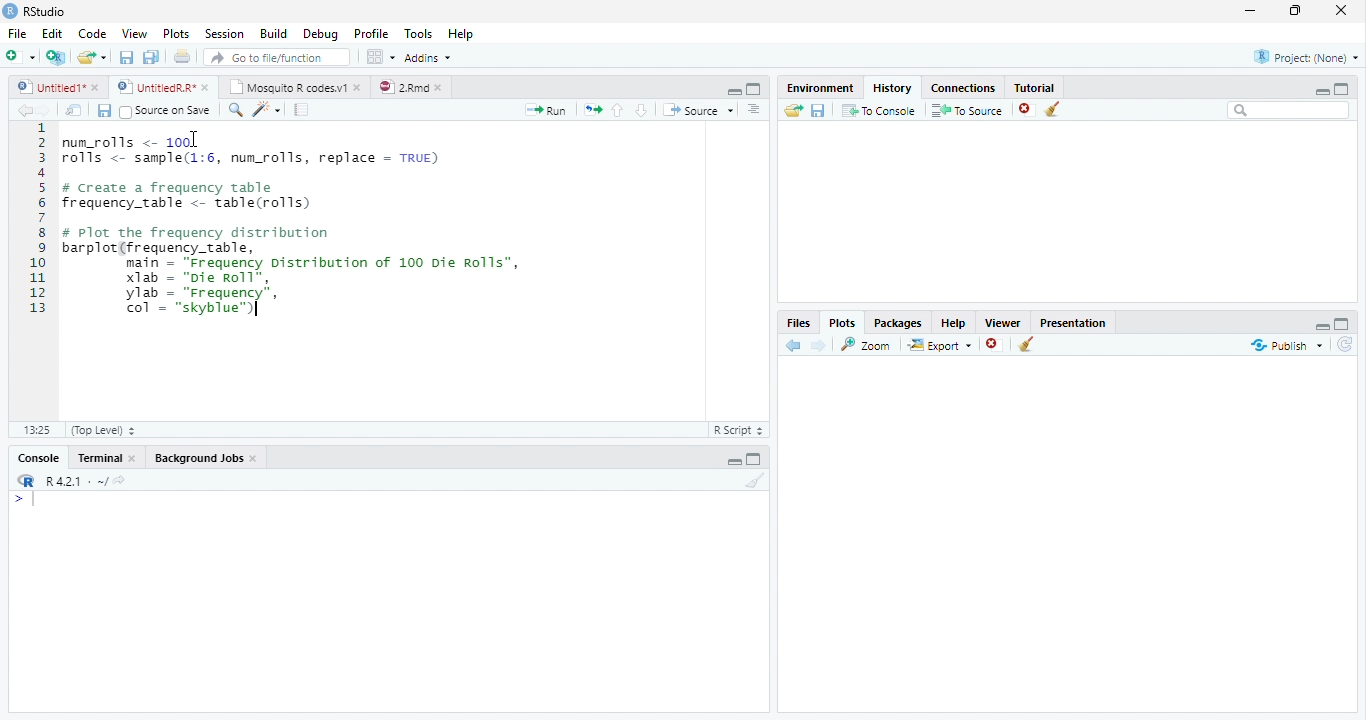 This screenshot has width=1366, height=720. Describe the element at coordinates (45, 109) in the screenshot. I see `Next Source Location` at that location.